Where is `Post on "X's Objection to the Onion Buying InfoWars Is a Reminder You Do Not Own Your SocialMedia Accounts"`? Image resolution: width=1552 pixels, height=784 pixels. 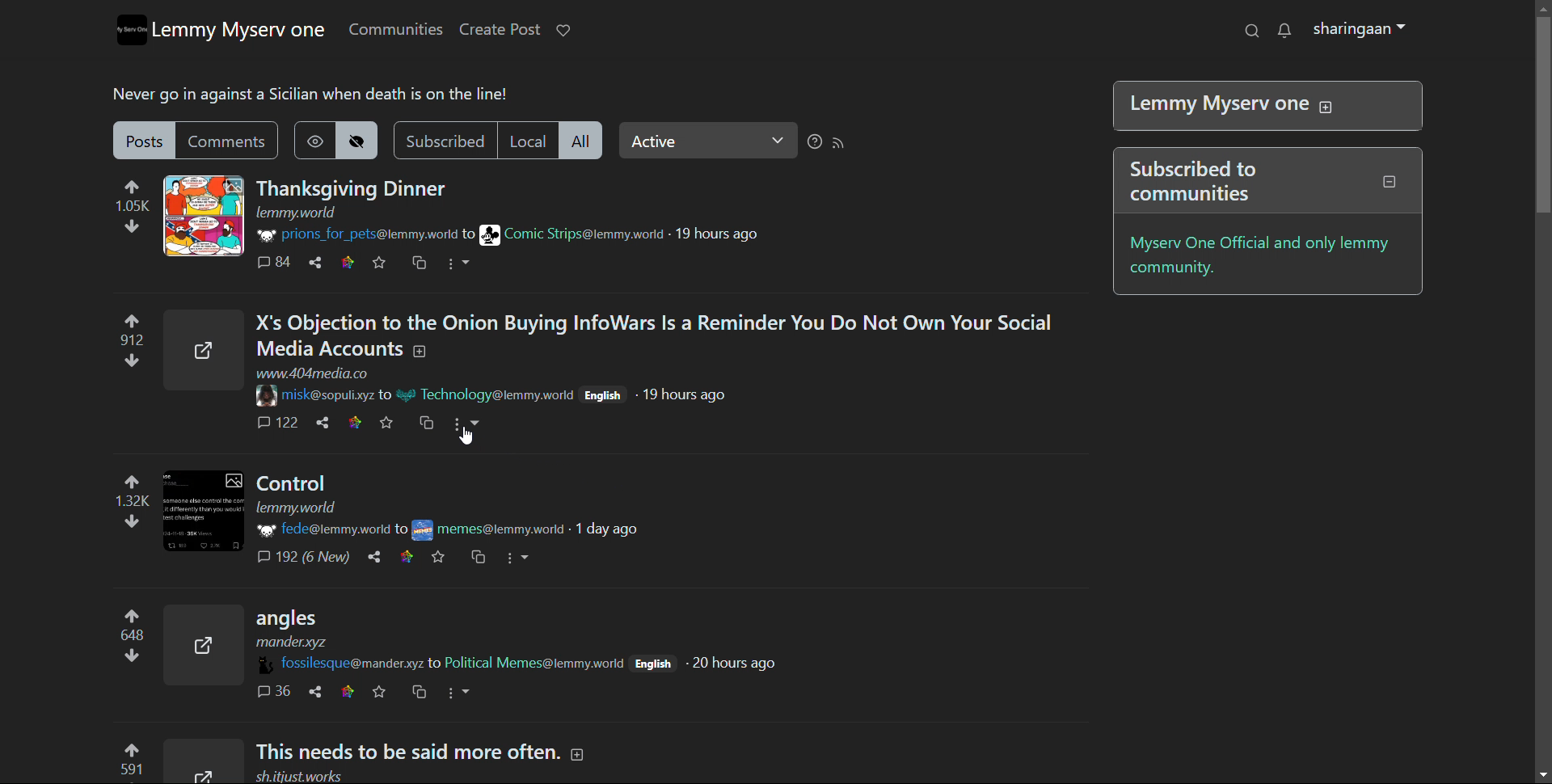
Post on "X's Objection to the Onion Buying InfoWars Is a Reminder You Do Not Own Your SocialMedia Accounts" is located at coordinates (654, 337).